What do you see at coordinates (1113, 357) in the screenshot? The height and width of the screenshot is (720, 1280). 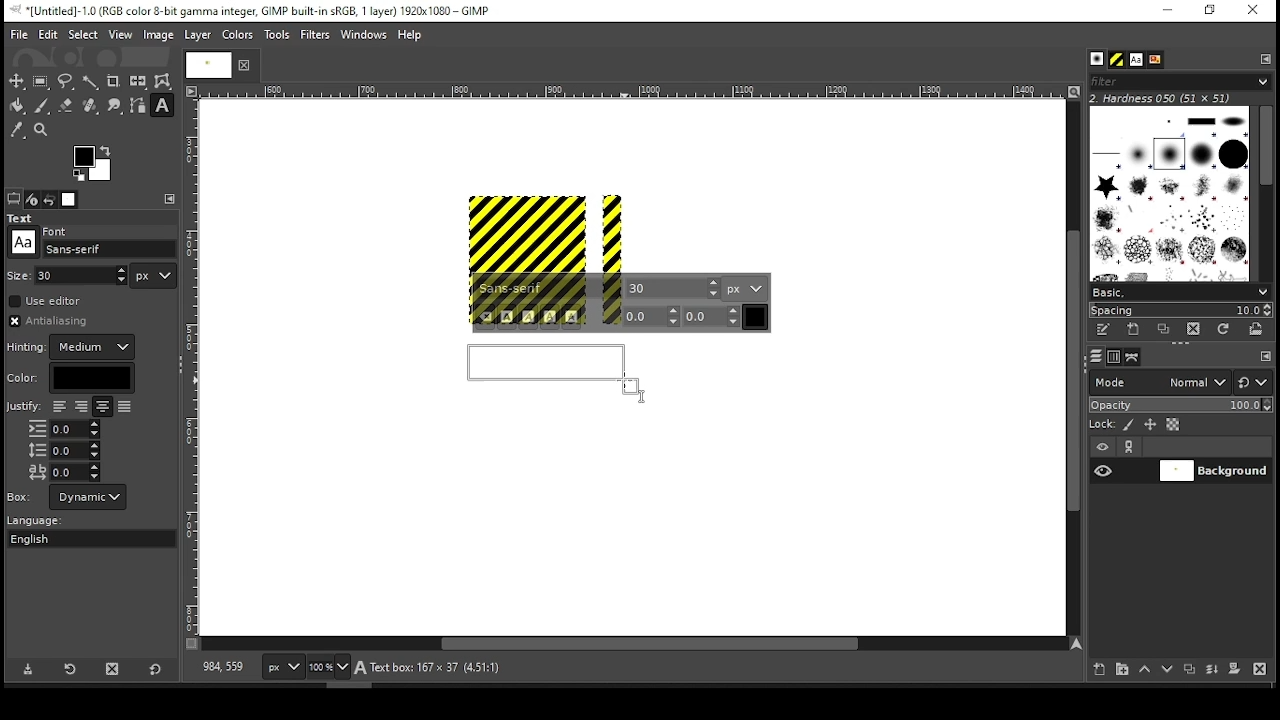 I see `channels` at bounding box center [1113, 357].